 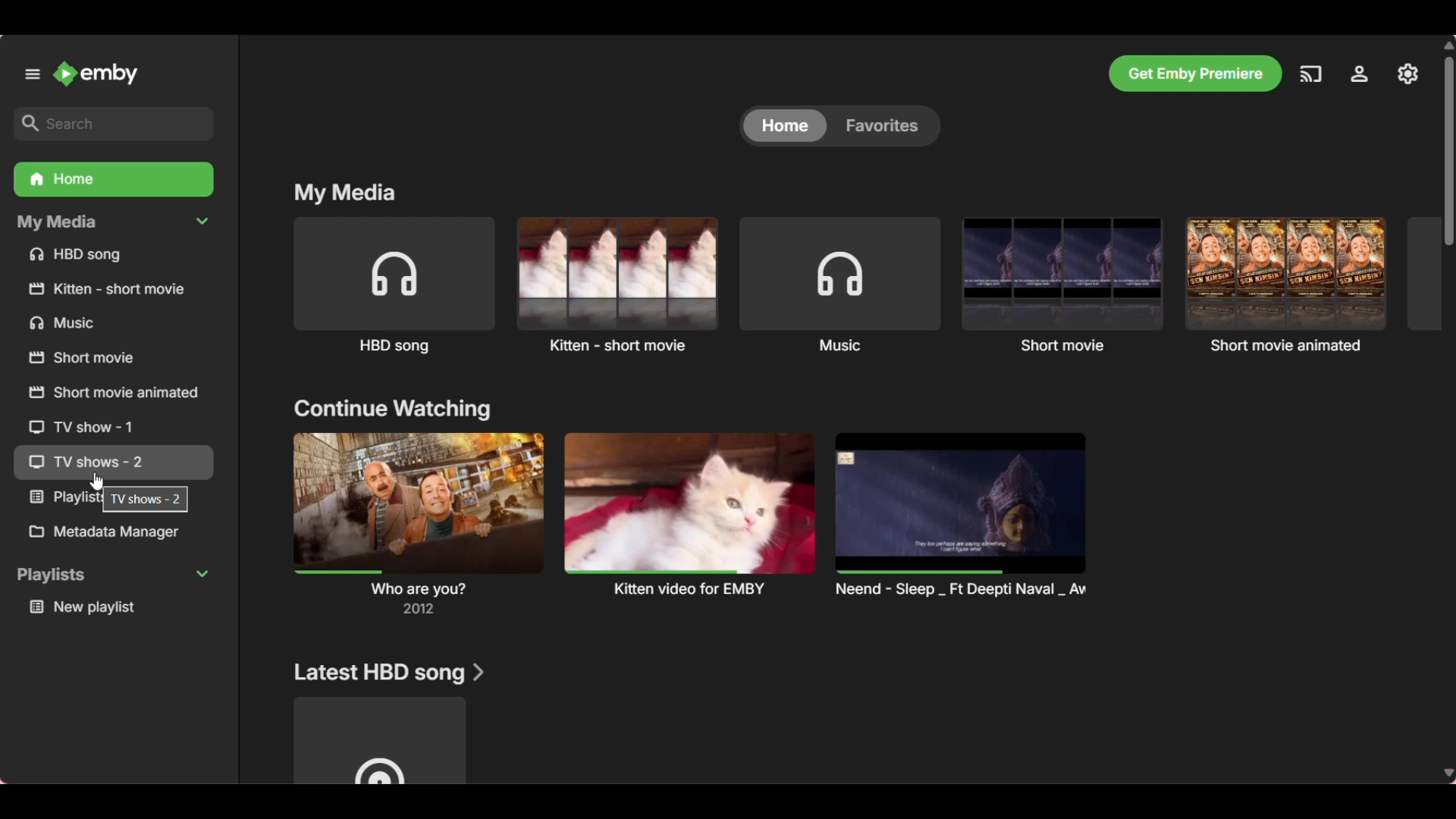 I want to click on , so click(x=109, y=463).